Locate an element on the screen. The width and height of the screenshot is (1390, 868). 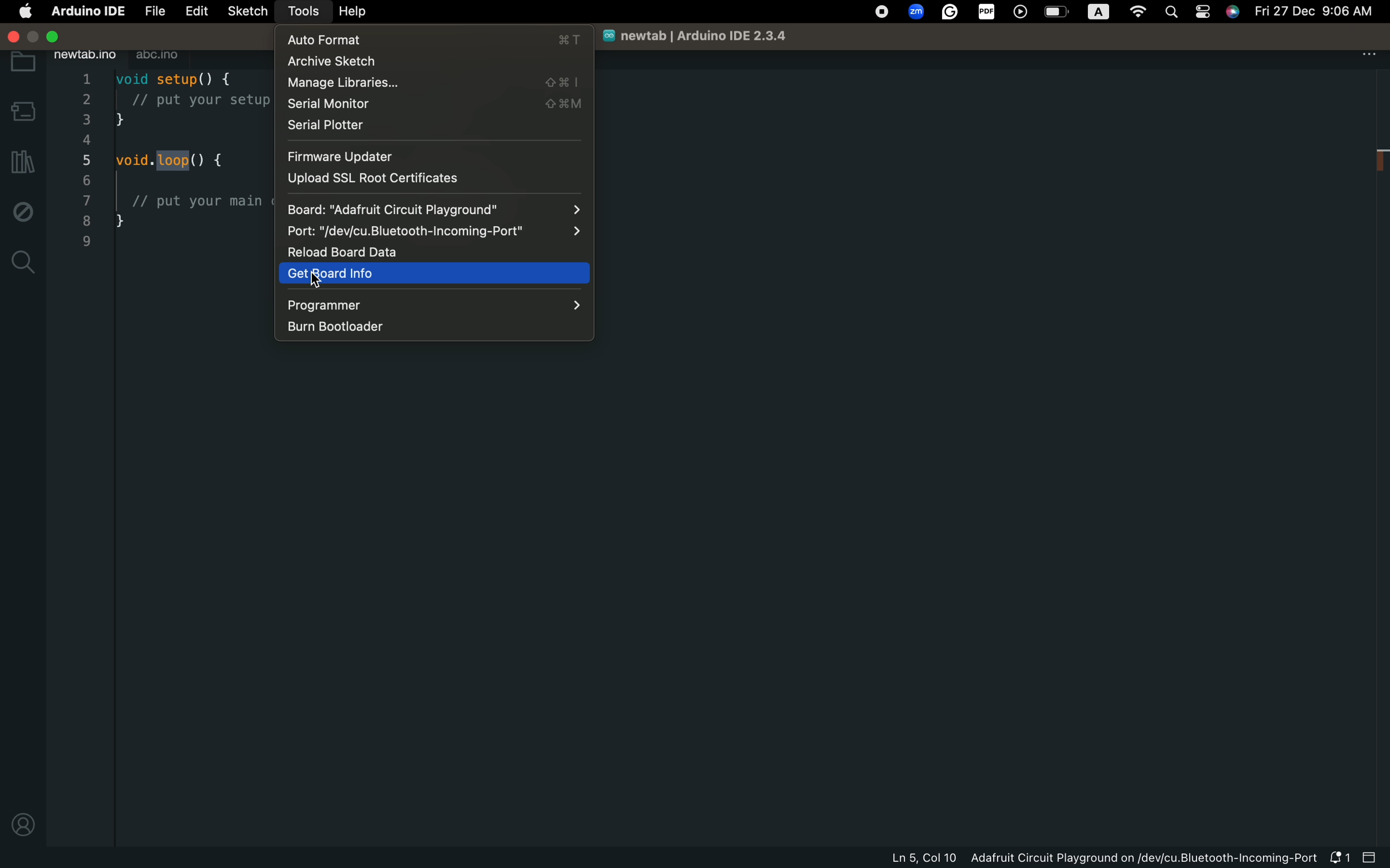
A is located at coordinates (1096, 13).